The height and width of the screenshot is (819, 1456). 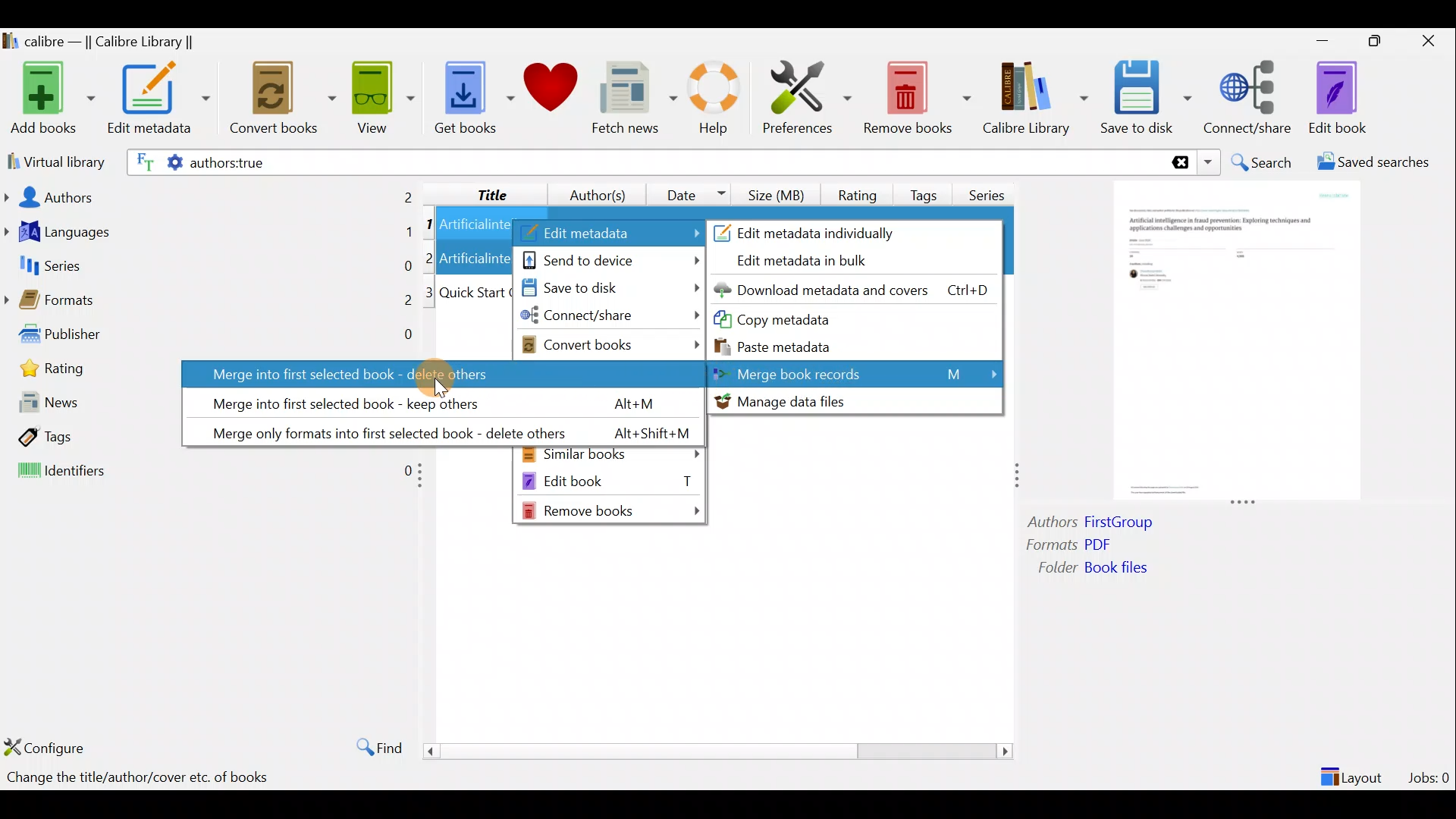 I want to click on Identifiers, so click(x=206, y=472).